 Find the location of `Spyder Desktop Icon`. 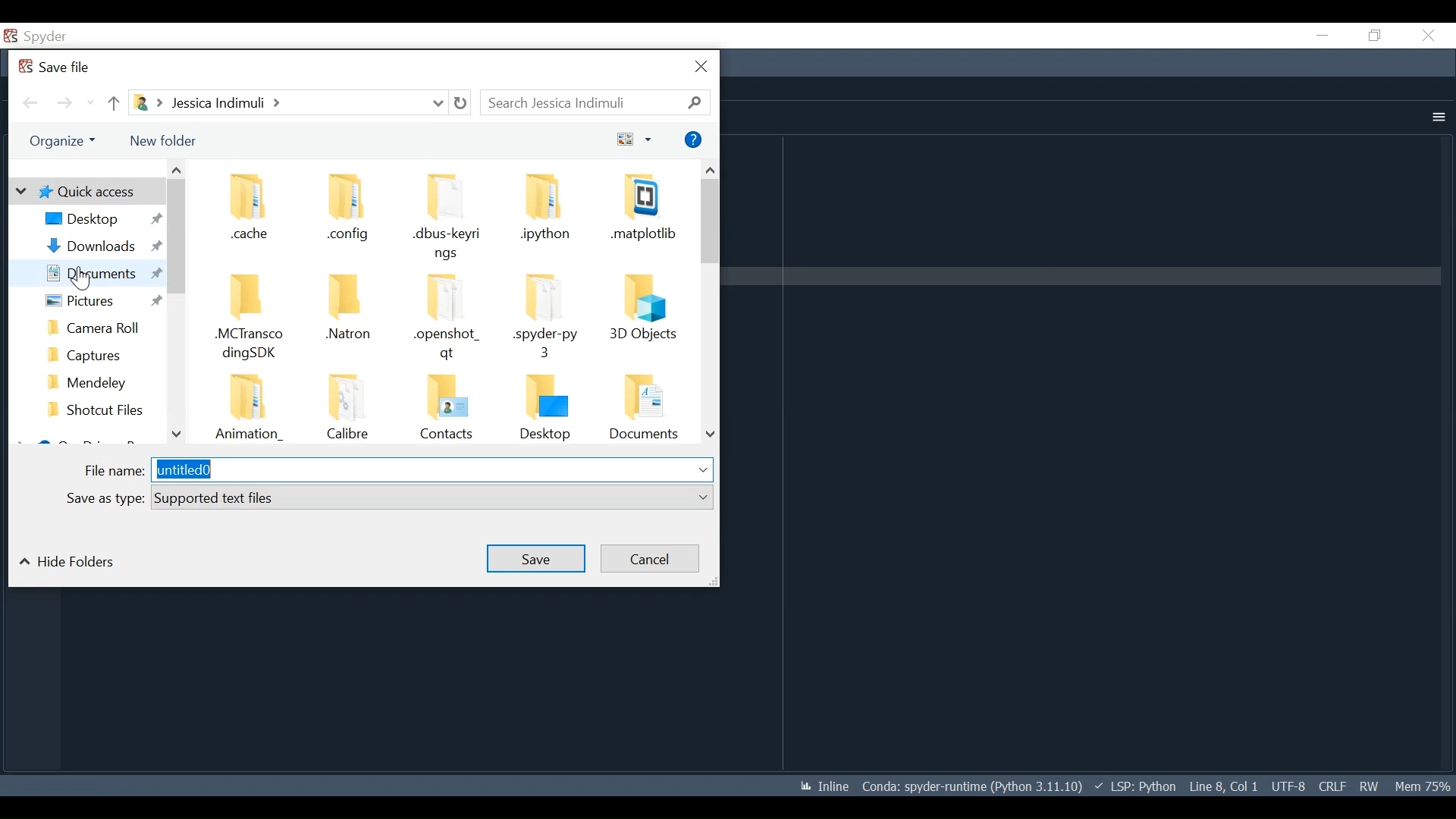

Spyder Desktop Icon is located at coordinates (9, 37).